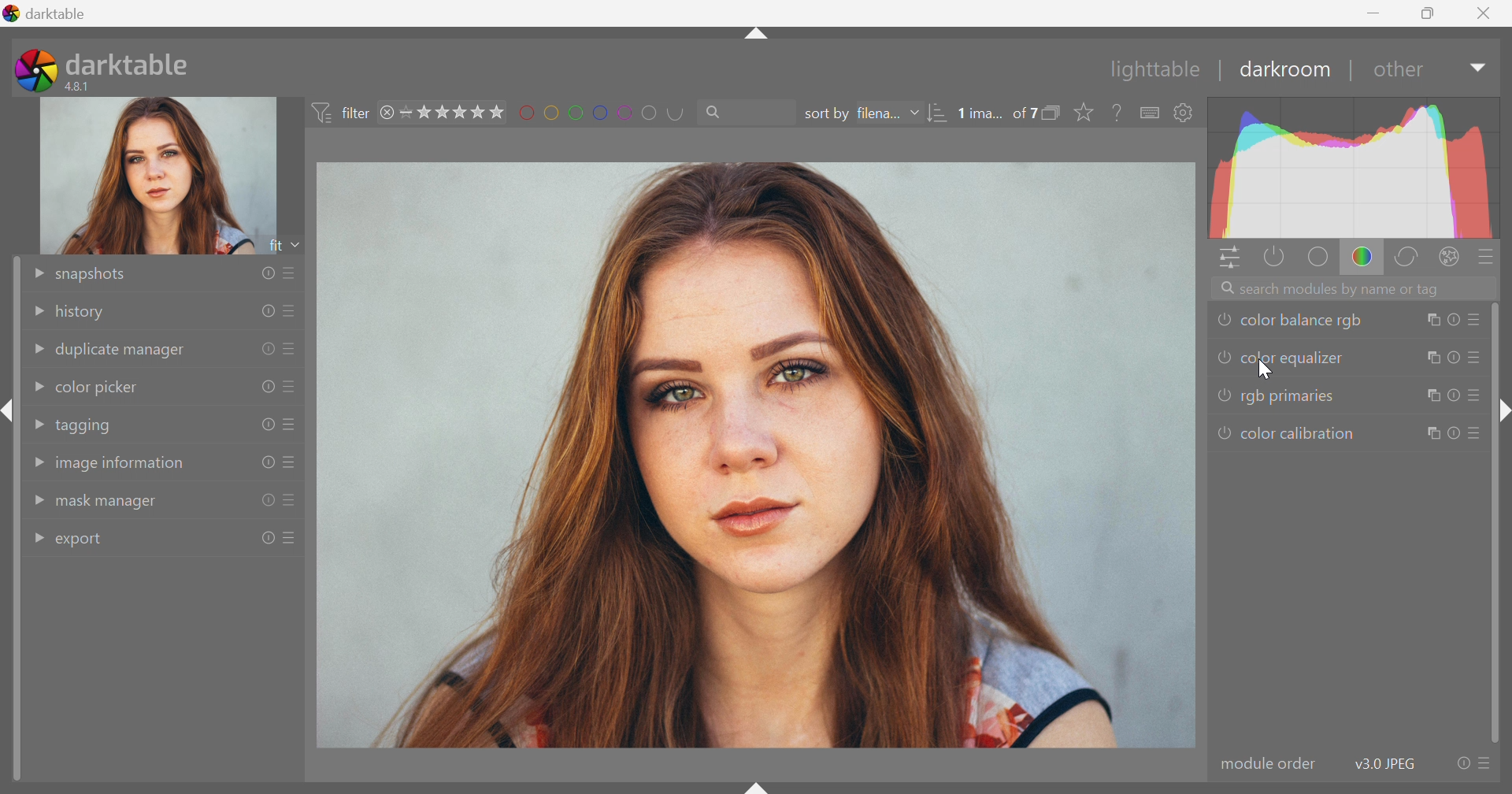 This screenshot has height=794, width=1512. What do you see at coordinates (1354, 168) in the screenshot?
I see `graph` at bounding box center [1354, 168].